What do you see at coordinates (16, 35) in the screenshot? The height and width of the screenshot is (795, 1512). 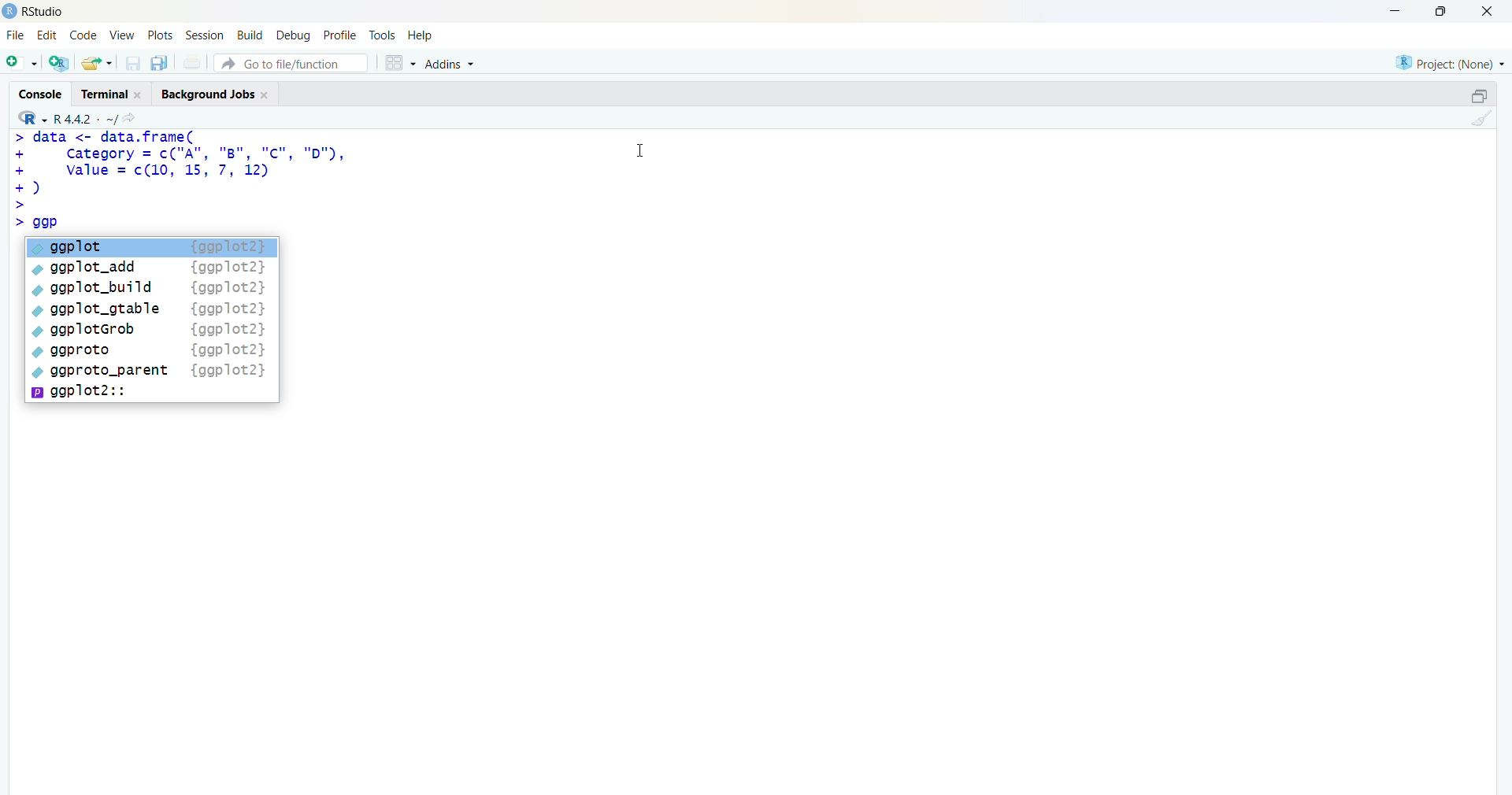 I see `File` at bounding box center [16, 35].